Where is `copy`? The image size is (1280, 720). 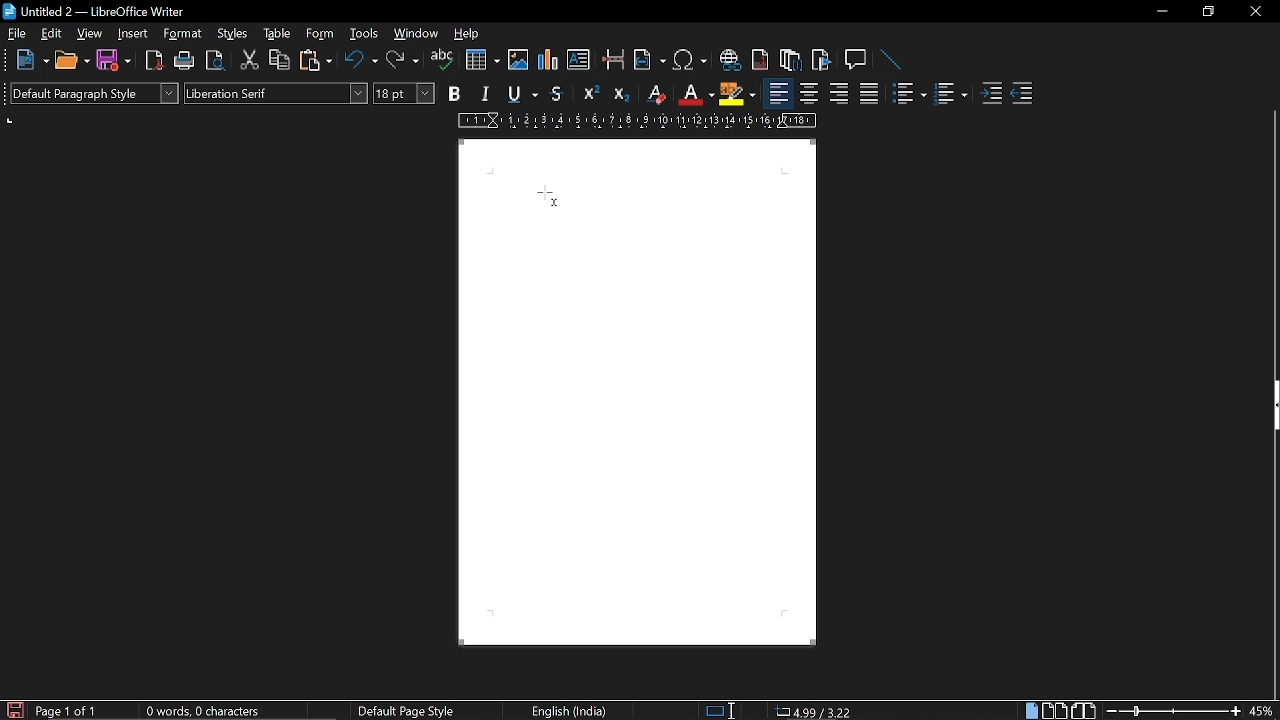 copy is located at coordinates (278, 61).